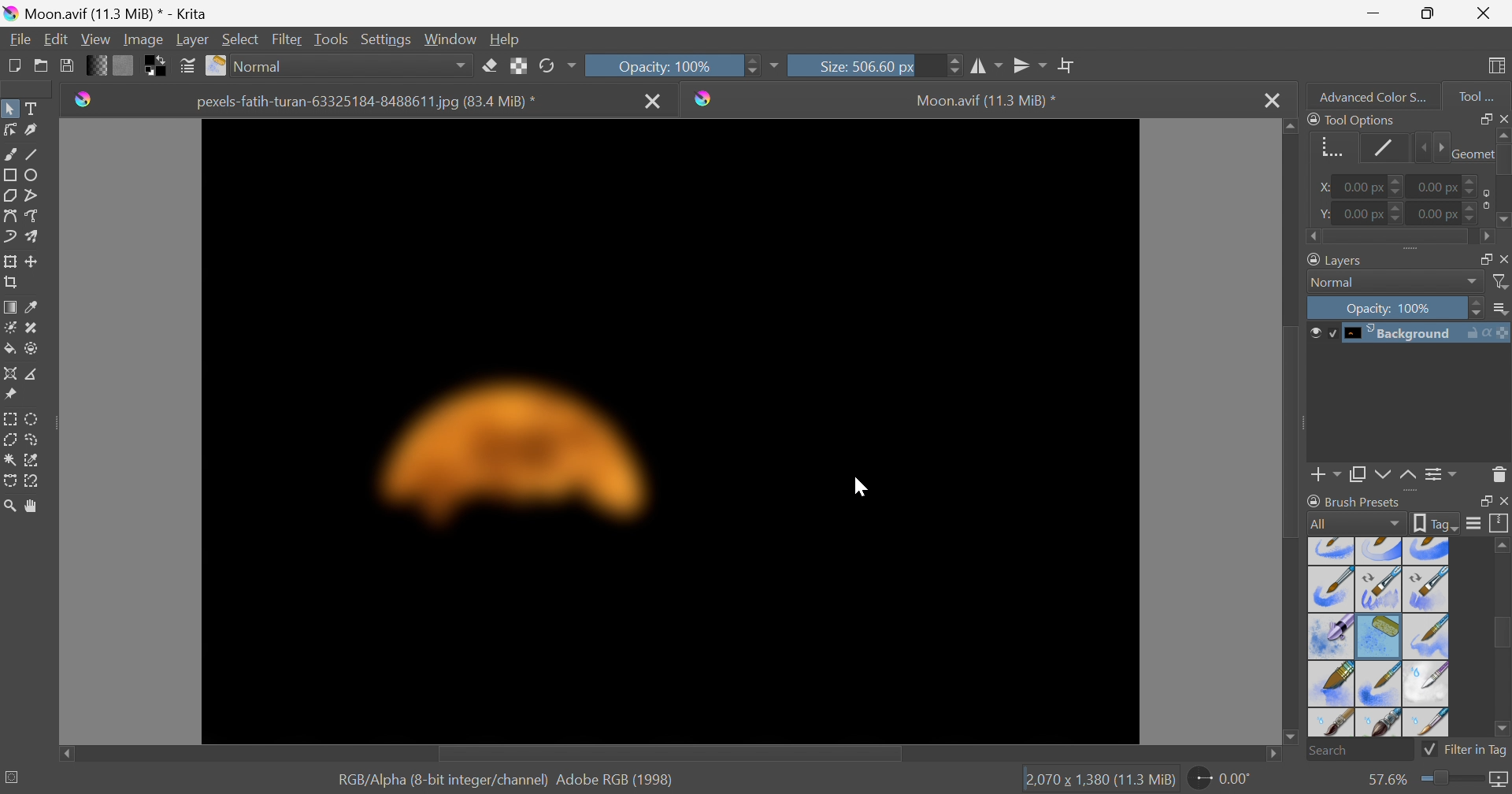 Image resolution: width=1512 pixels, height=794 pixels. I want to click on Moon.avif (11.3 MiB), so click(986, 102).